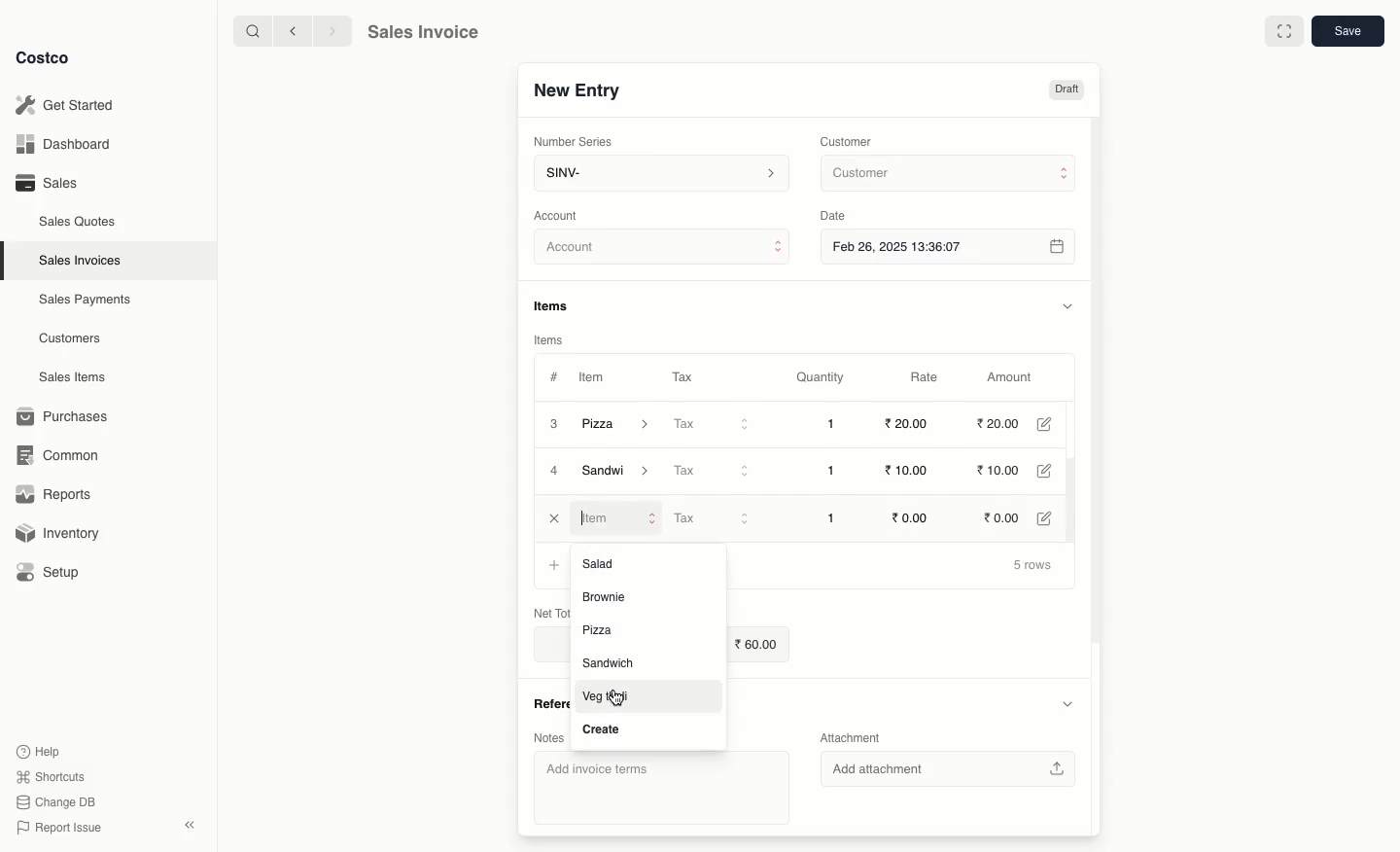 Image resolution: width=1400 pixels, height=852 pixels. I want to click on Costco, so click(48, 58).